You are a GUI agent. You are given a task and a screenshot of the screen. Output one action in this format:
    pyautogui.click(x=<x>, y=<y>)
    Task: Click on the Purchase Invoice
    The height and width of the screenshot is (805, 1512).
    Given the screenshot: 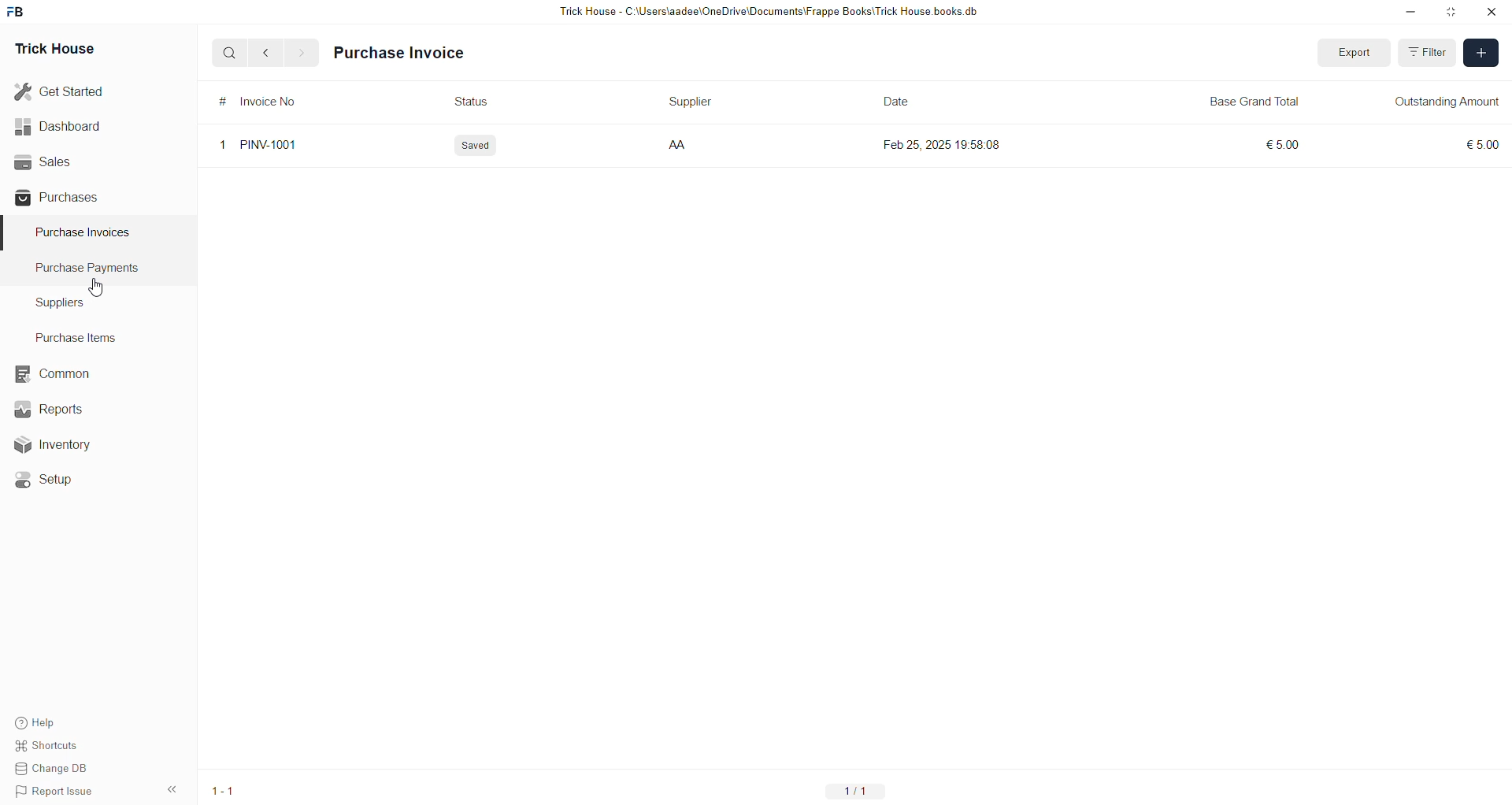 What is the action you would take?
    pyautogui.click(x=402, y=54)
    